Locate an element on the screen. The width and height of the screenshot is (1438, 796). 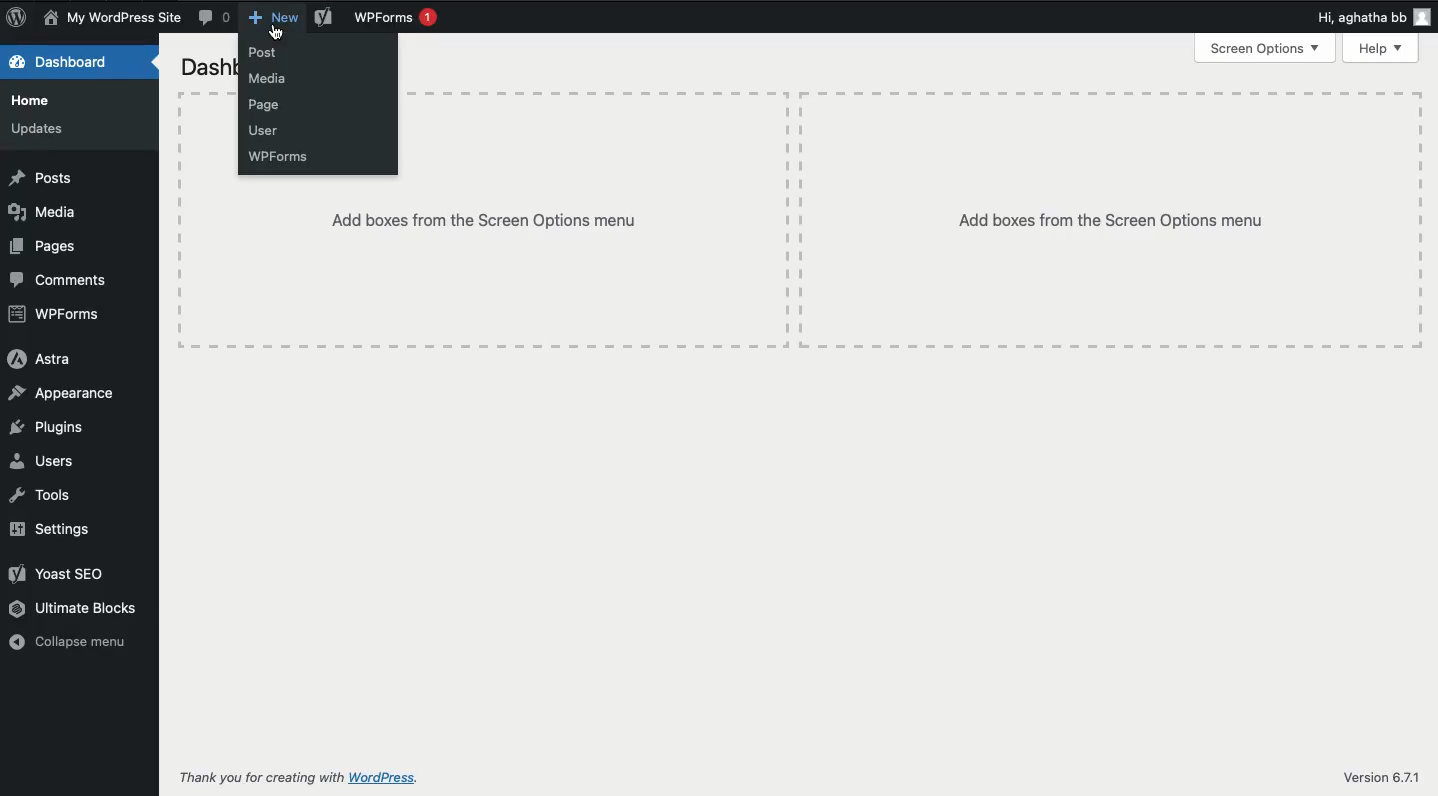
 is located at coordinates (485, 265).